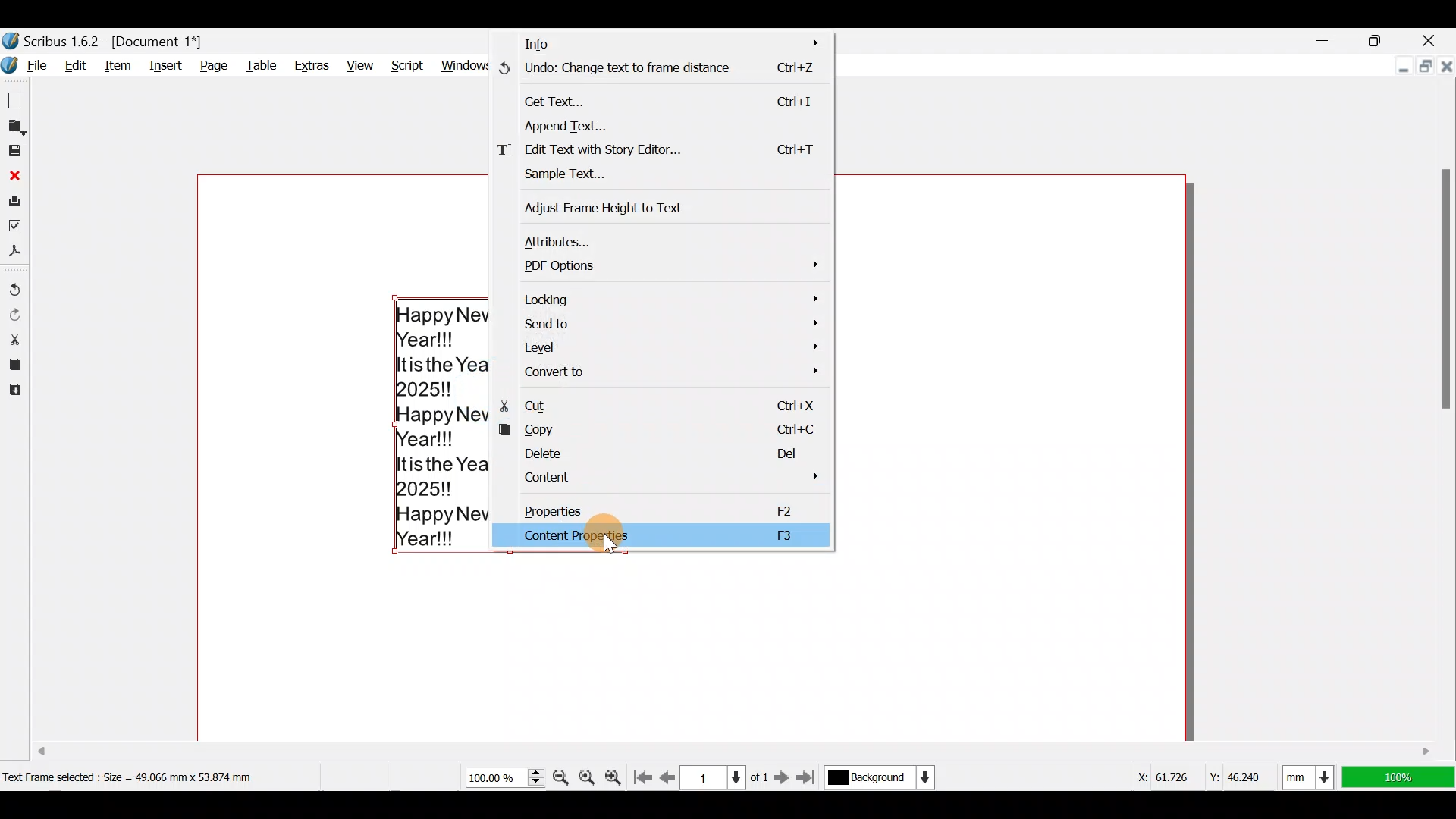  Describe the element at coordinates (665, 71) in the screenshot. I see `Undo: change text for frame distance` at that location.